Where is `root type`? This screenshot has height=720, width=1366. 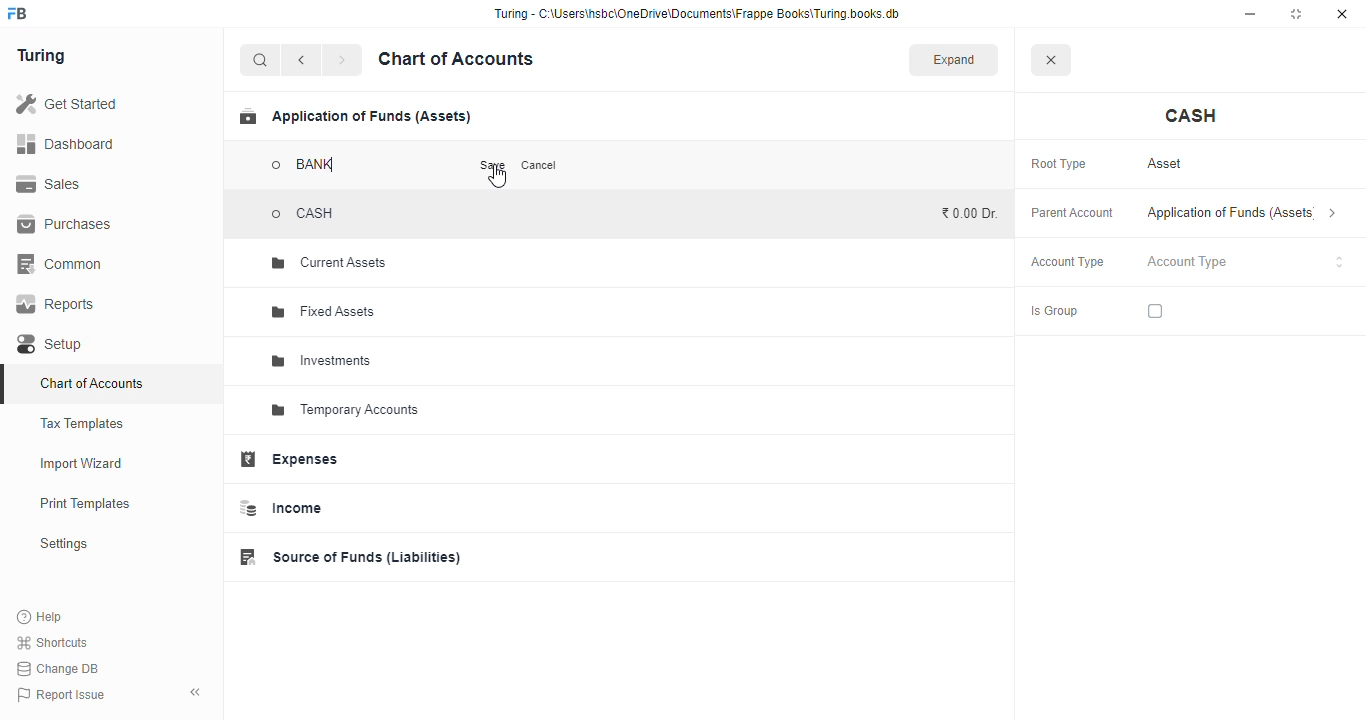
root type is located at coordinates (1059, 165).